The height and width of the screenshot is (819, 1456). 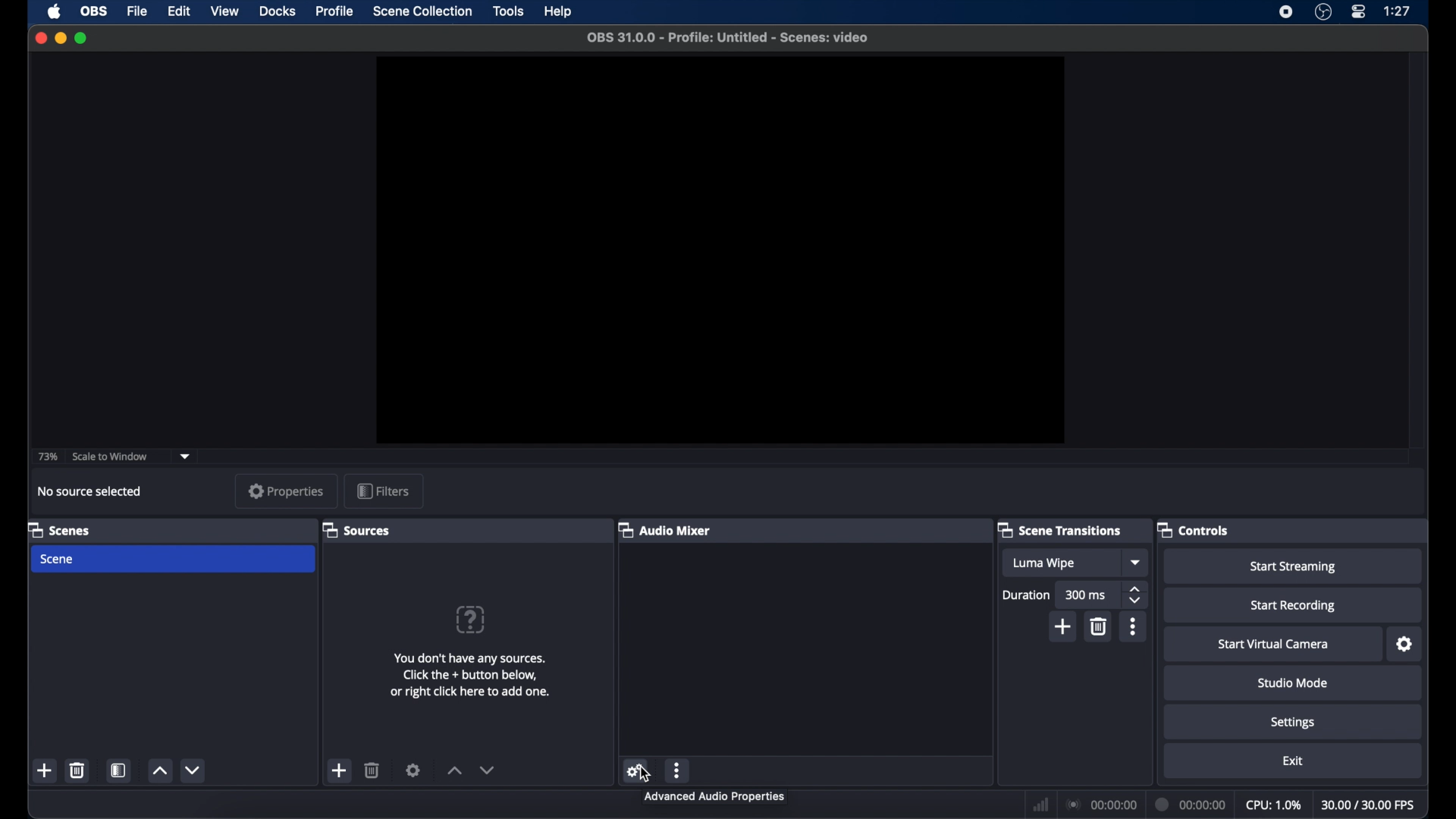 What do you see at coordinates (55, 11) in the screenshot?
I see `apple icon` at bounding box center [55, 11].